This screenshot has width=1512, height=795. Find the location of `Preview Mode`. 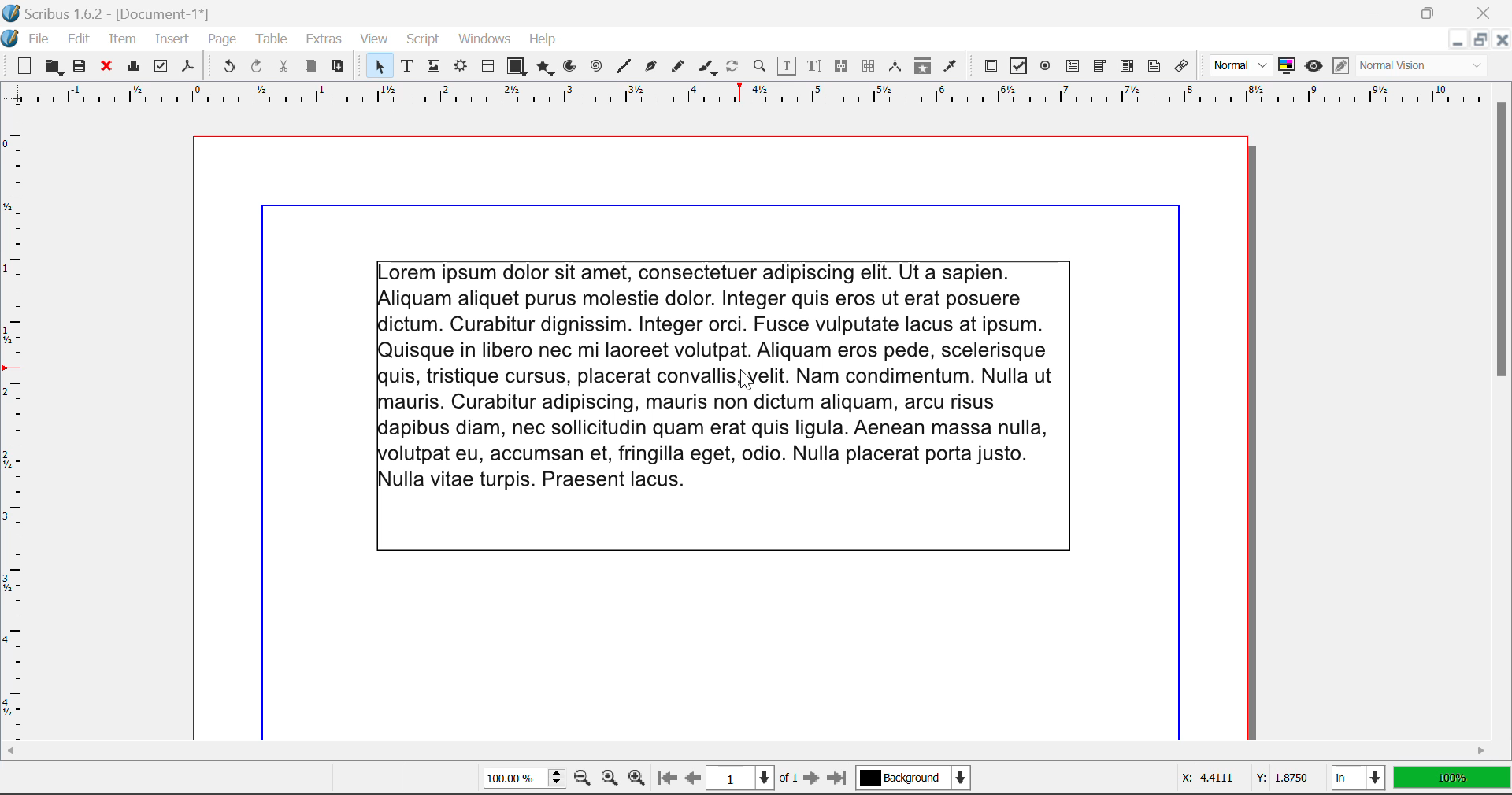

Preview Mode is located at coordinates (1314, 66).